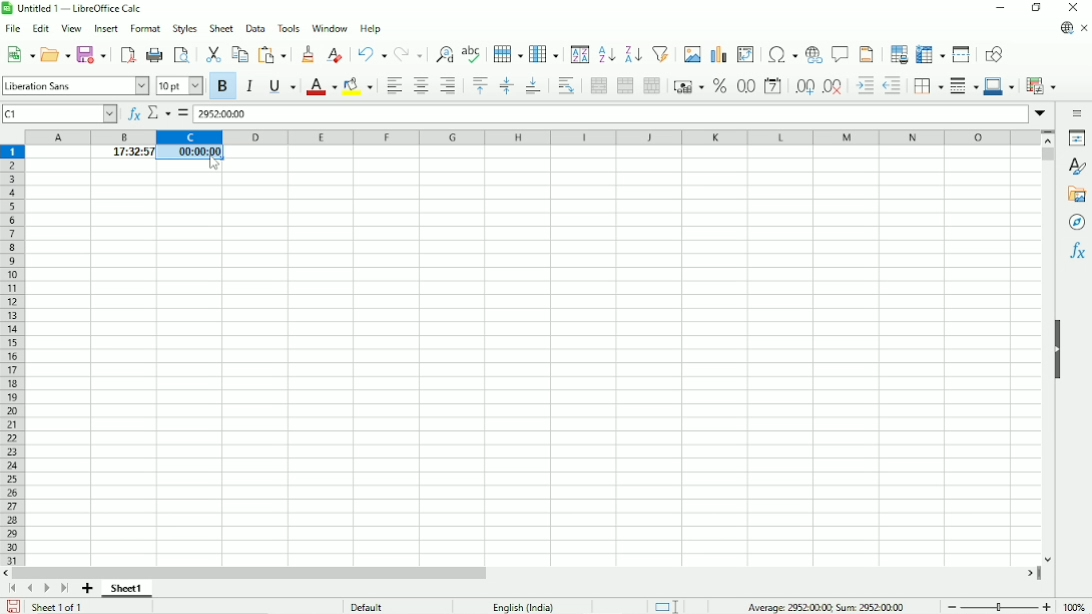 This screenshot has height=614, width=1092. Describe the element at coordinates (897, 55) in the screenshot. I see `Define print area` at that location.